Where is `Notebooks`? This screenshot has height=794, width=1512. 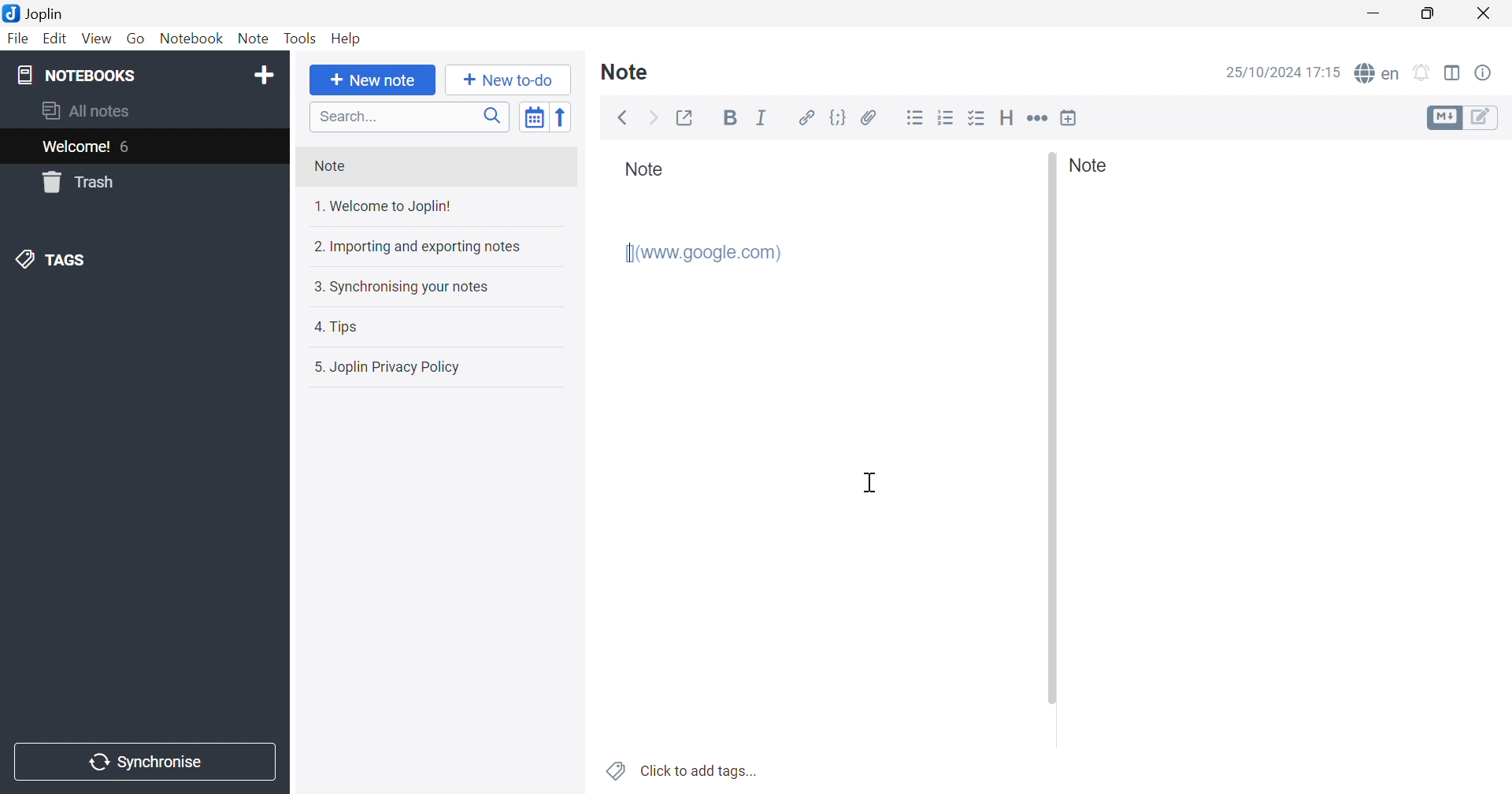 Notebooks is located at coordinates (124, 75).